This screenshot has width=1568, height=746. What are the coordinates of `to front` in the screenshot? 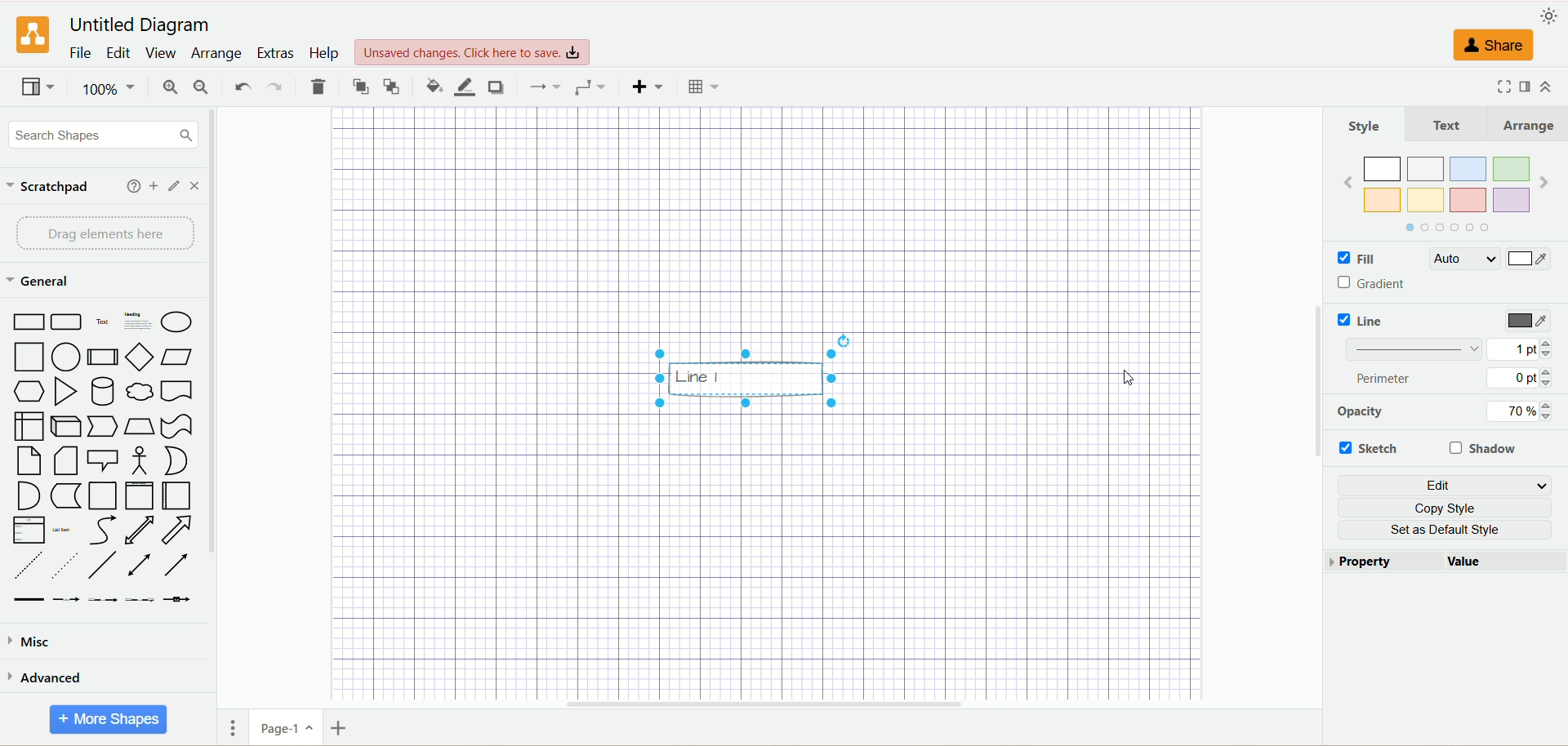 It's located at (359, 86).